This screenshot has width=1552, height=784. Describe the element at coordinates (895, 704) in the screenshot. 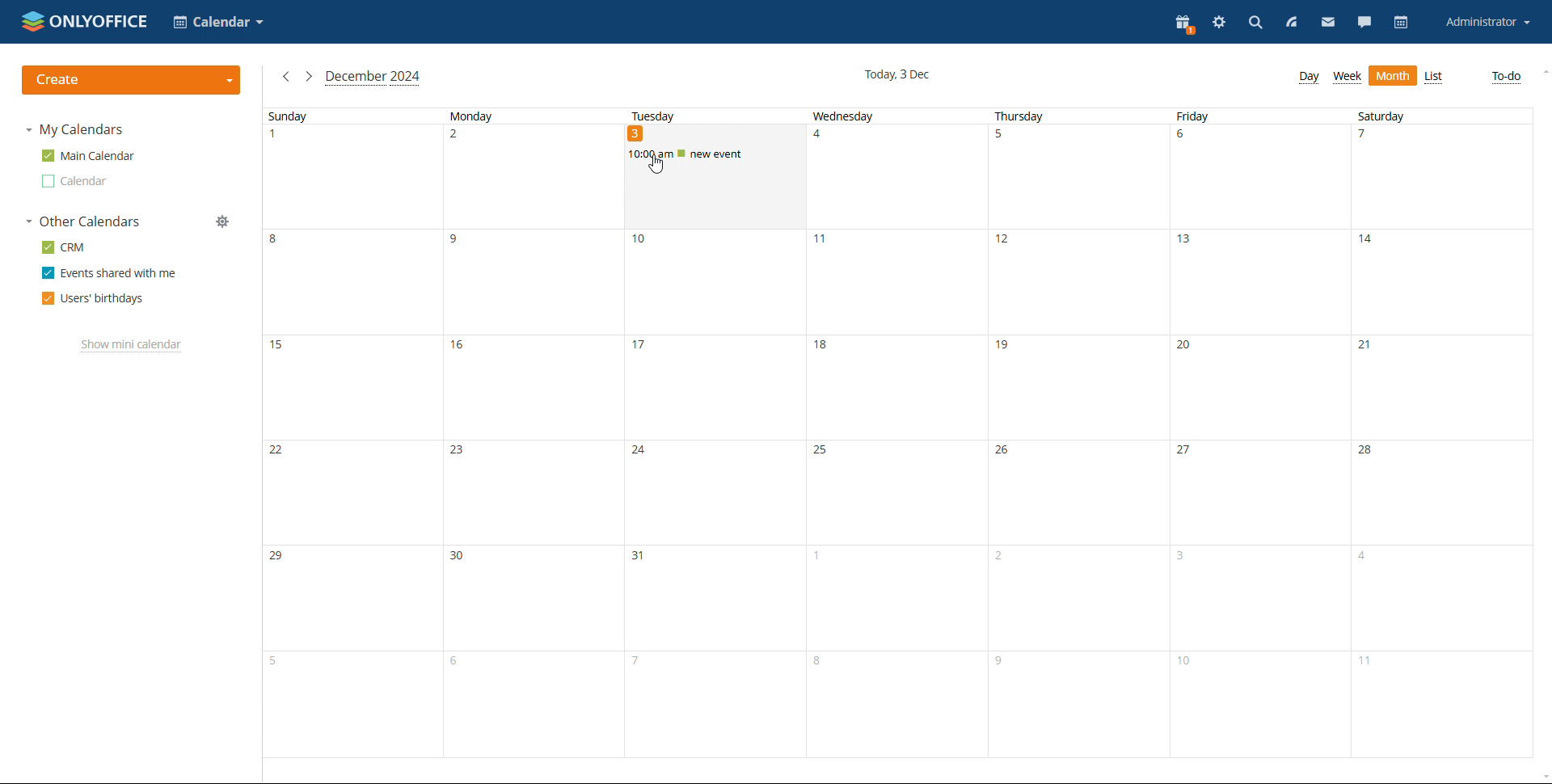

I see `8` at that location.